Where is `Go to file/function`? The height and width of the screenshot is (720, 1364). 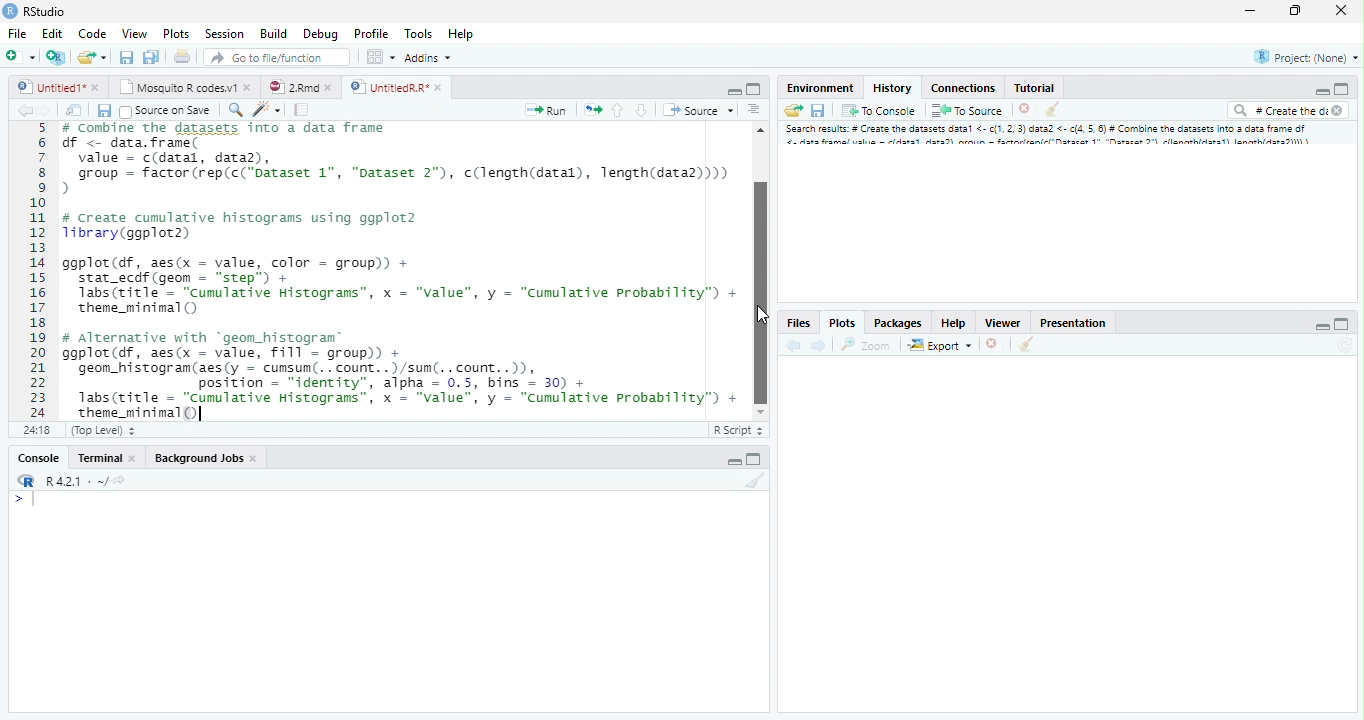 Go to file/function is located at coordinates (275, 58).